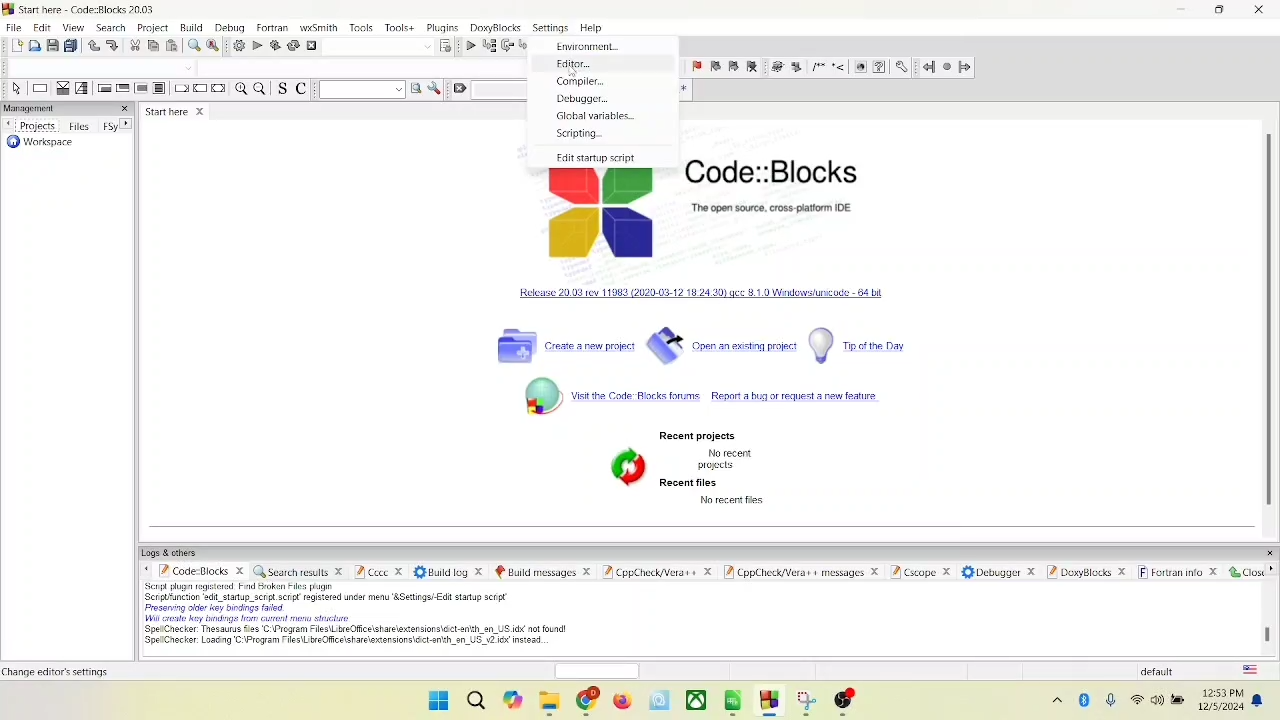 The image size is (1280, 720). Describe the element at coordinates (579, 134) in the screenshot. I see `scrpting` at that location.